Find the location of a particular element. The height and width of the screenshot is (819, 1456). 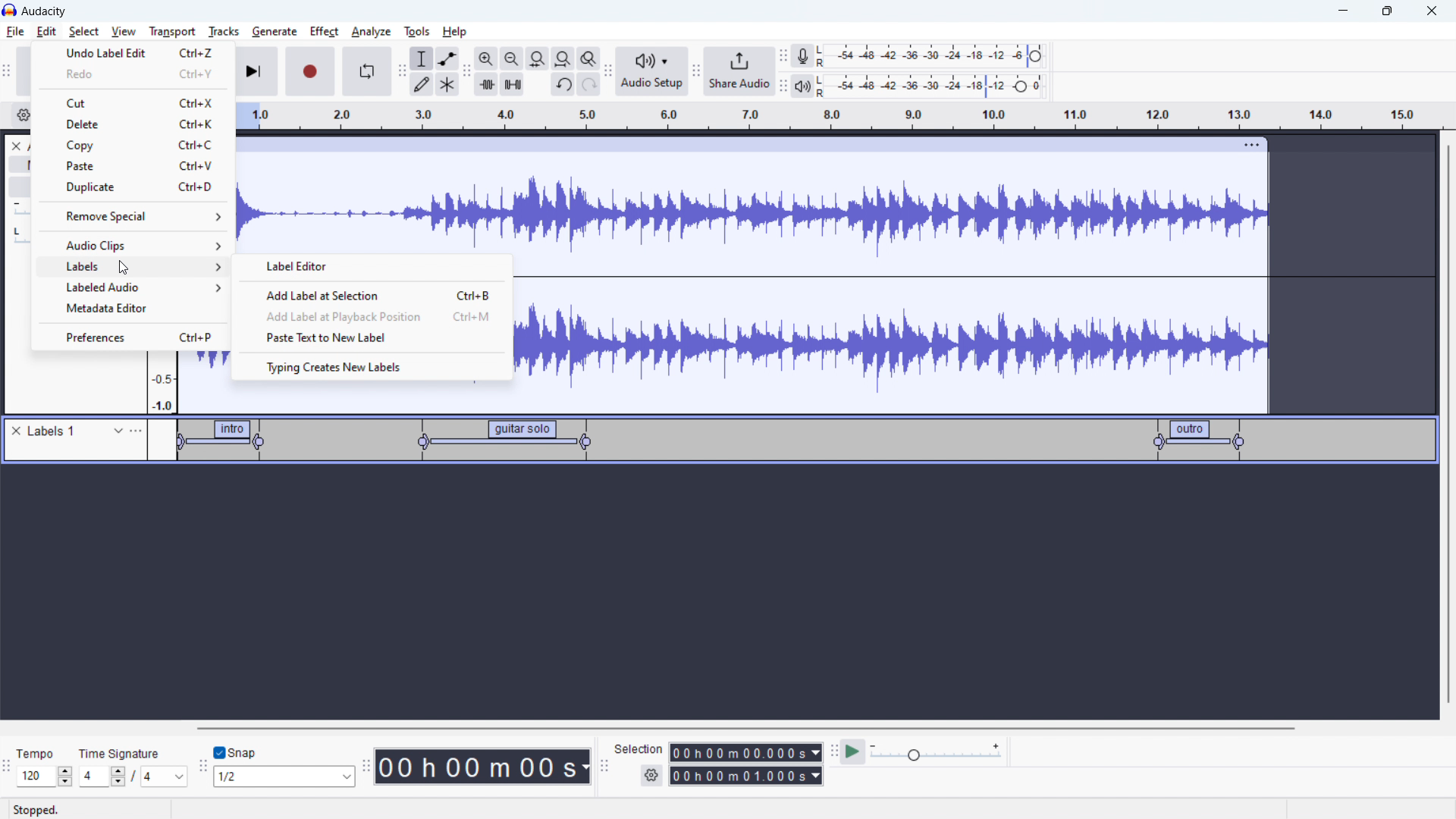

maximize is located at coordinates (1387, 11).